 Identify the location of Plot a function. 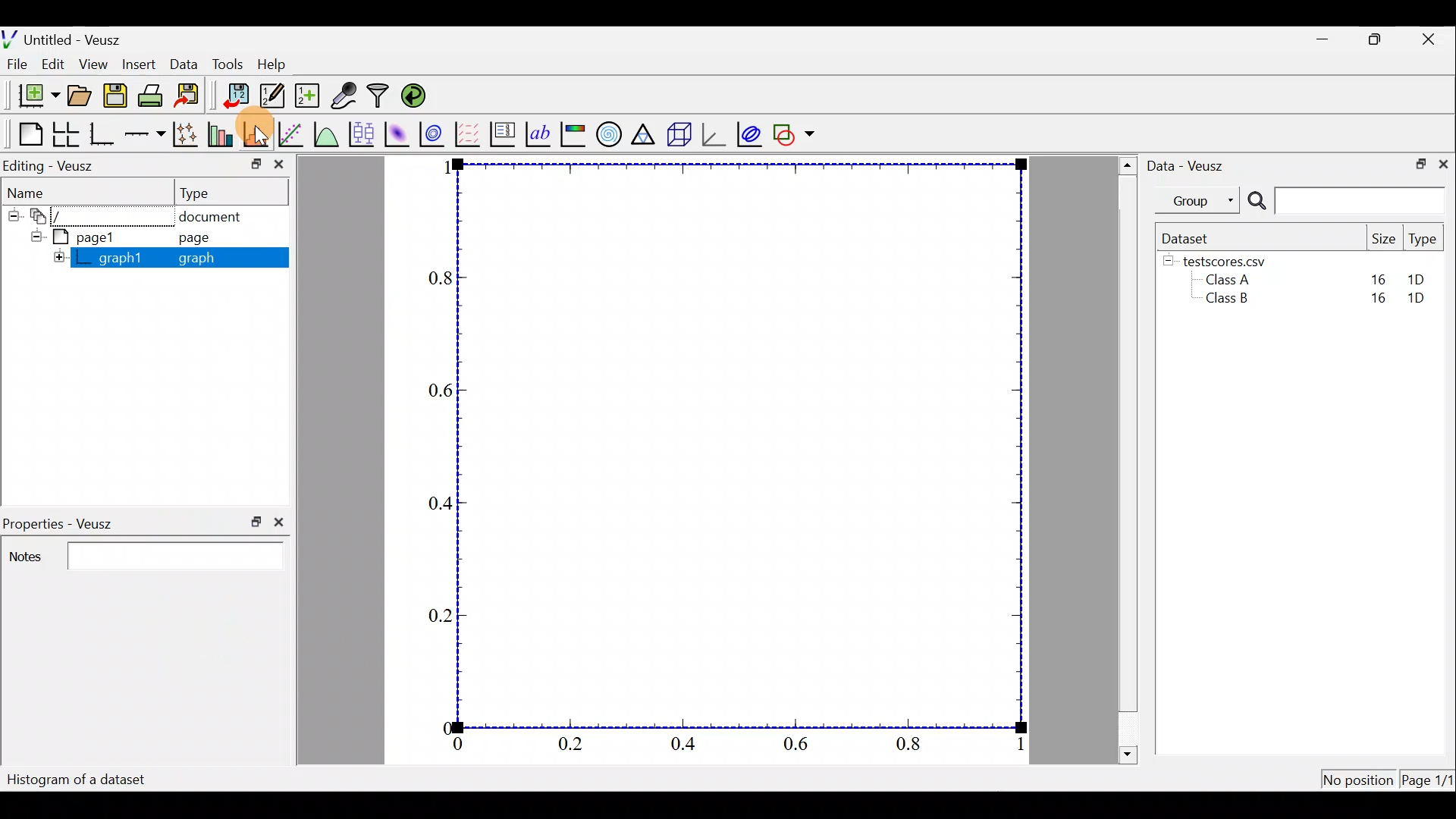
(326, 133).